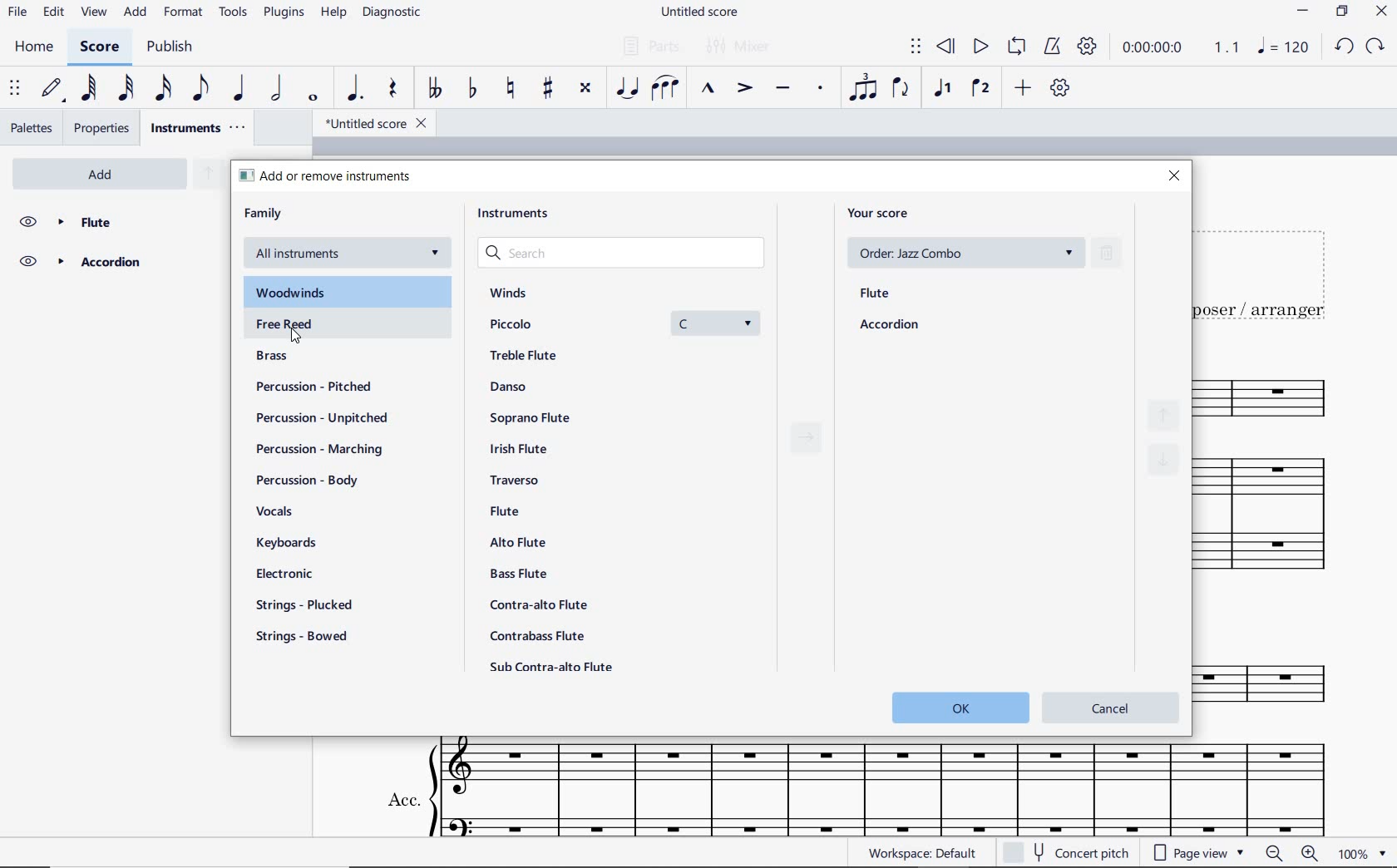 This screenshot has height=868, width=1397. Describe the element at coordinates (96, 49) in the screenshot. I see `SCORE` at that location.